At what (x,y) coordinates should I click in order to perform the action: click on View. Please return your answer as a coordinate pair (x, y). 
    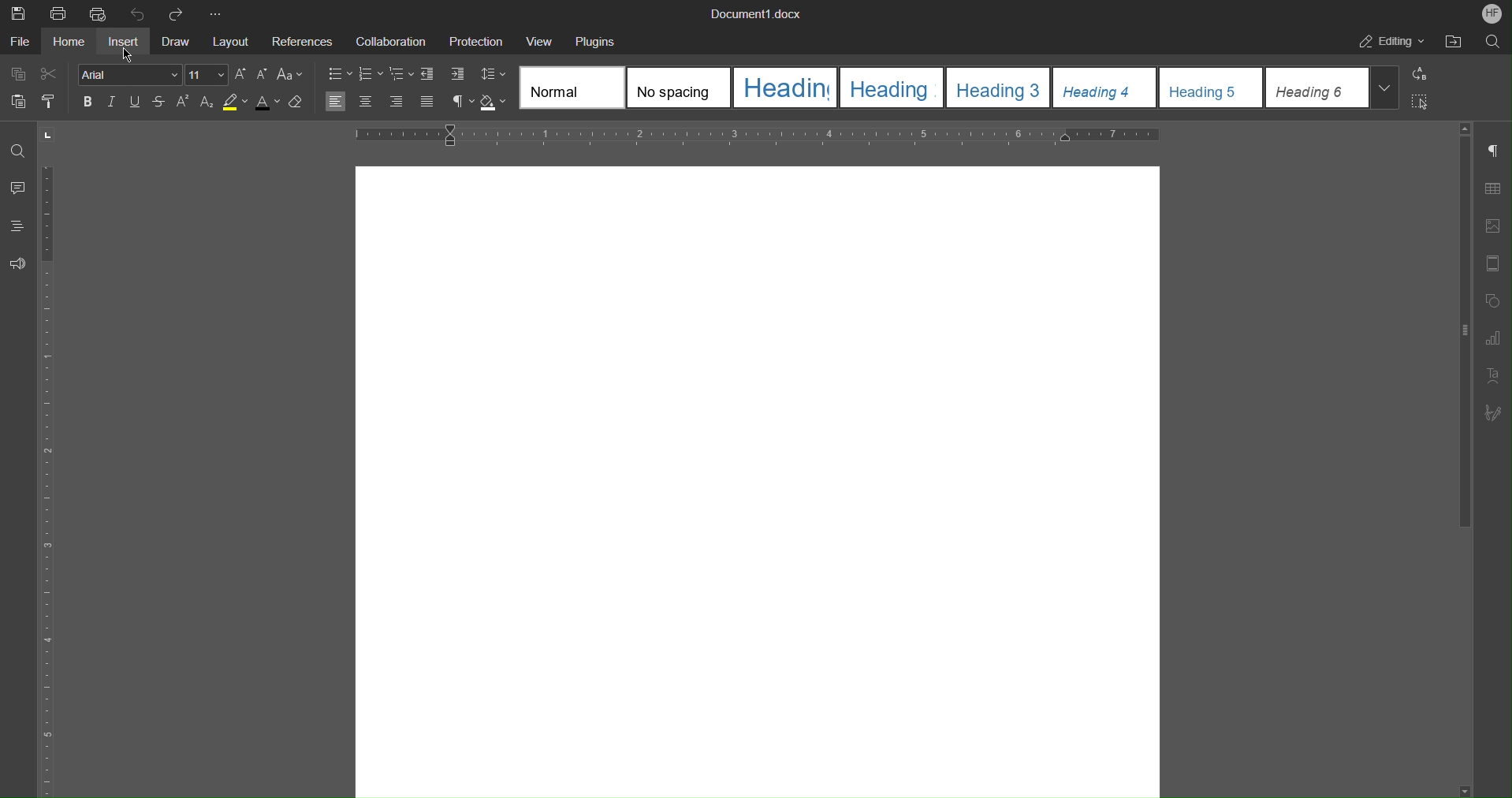
    Looking at the image, I should click on (543, 40).